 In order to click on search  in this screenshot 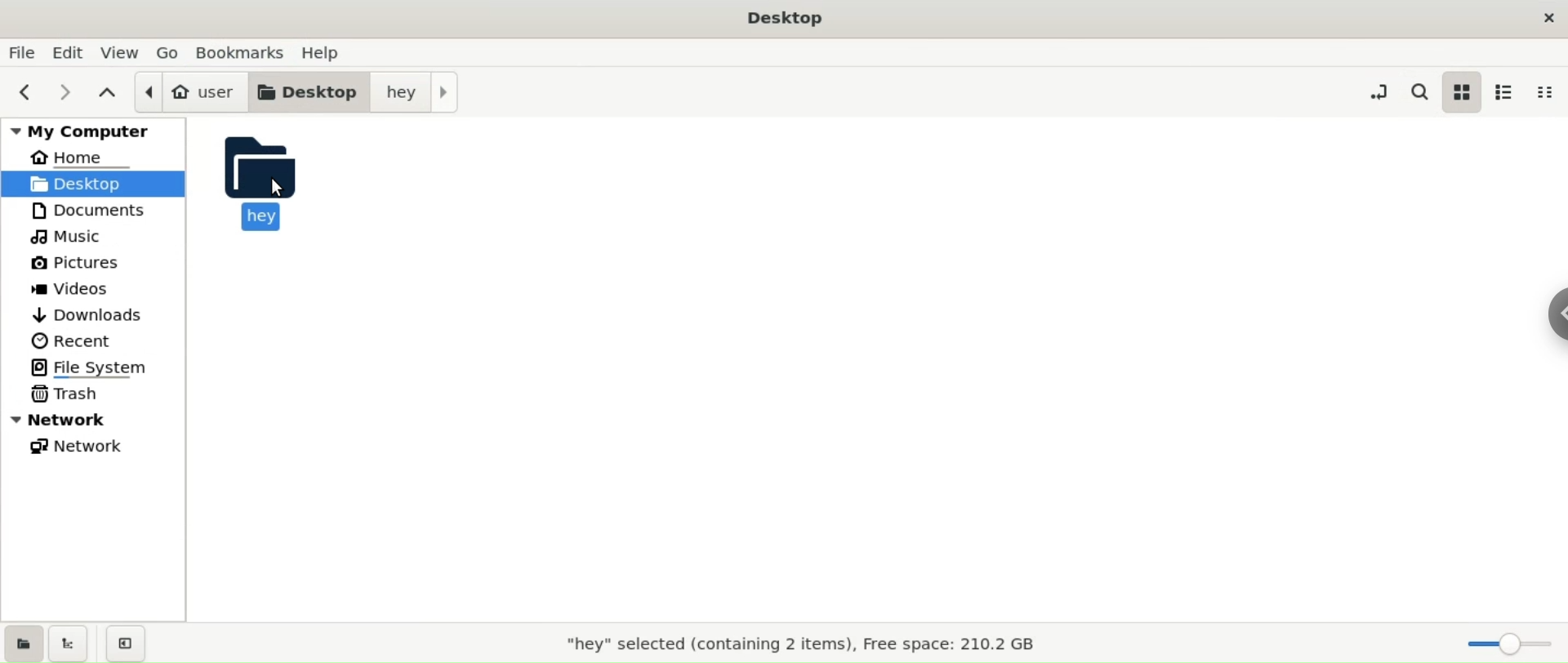, I will do `click(1424, 92)`.